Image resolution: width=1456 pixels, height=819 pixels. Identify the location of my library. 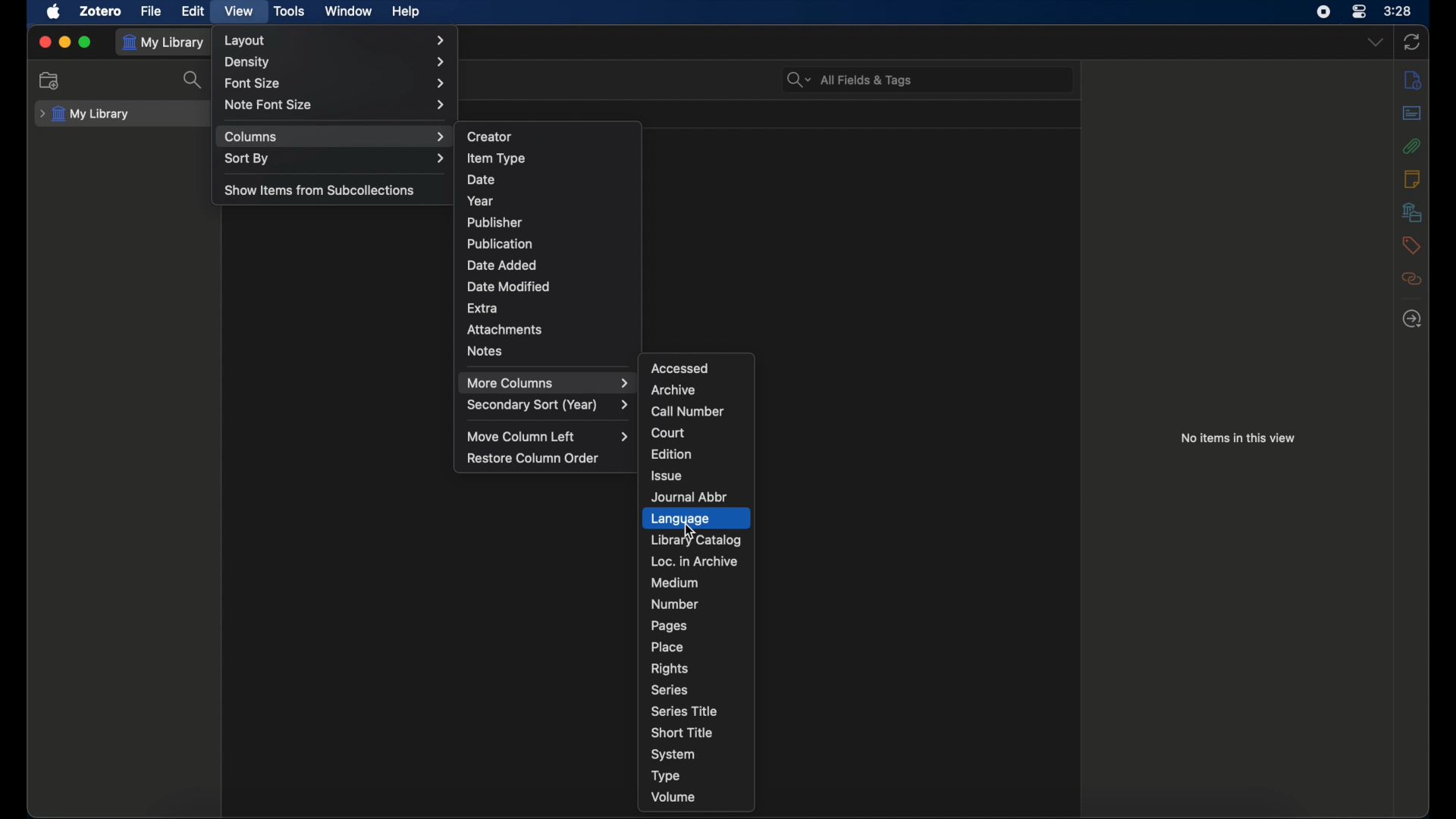
(86, 115).